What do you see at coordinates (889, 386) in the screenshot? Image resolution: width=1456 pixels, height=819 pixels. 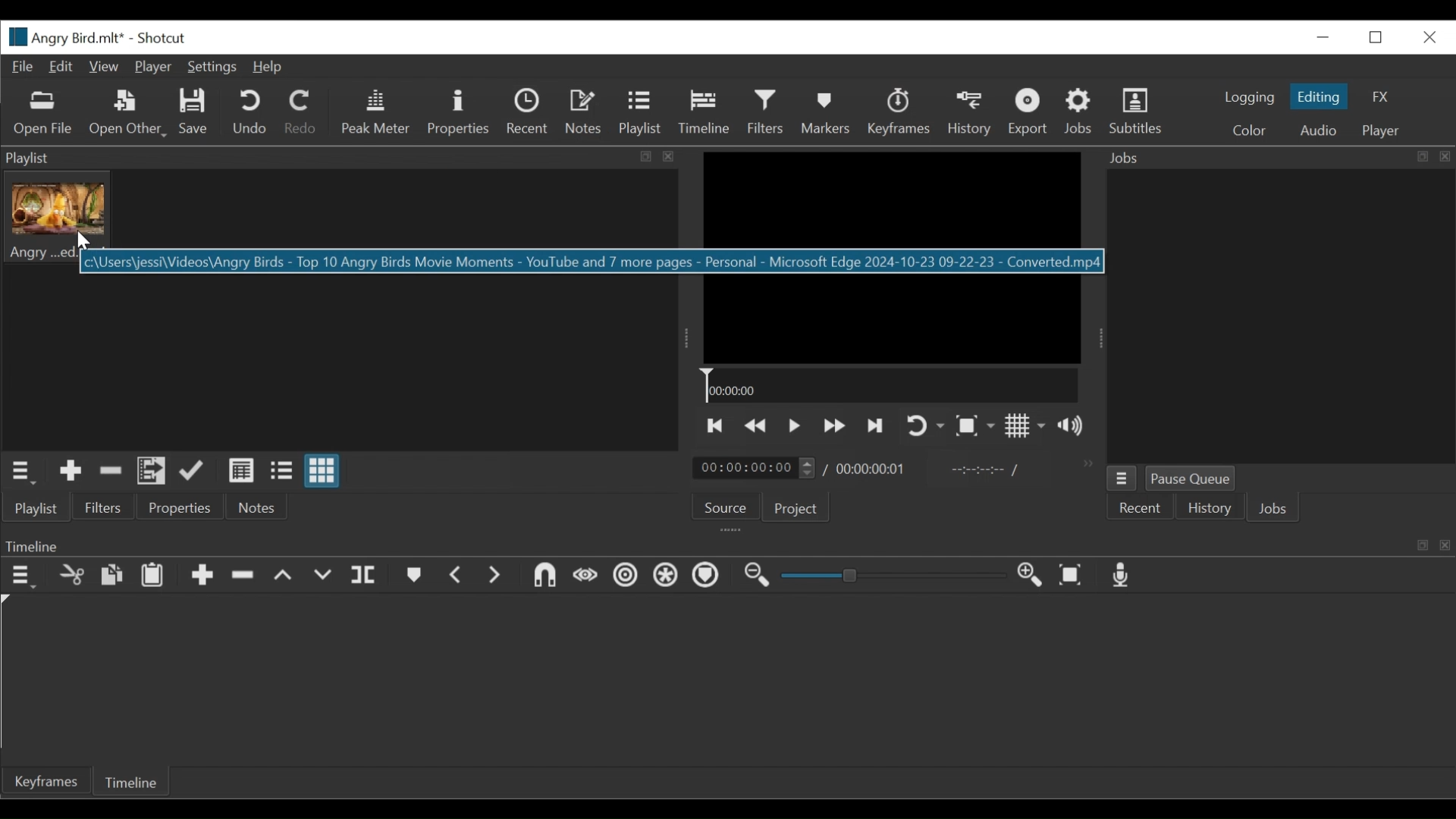 I see `Timeline` at bounding box center [889, 386].